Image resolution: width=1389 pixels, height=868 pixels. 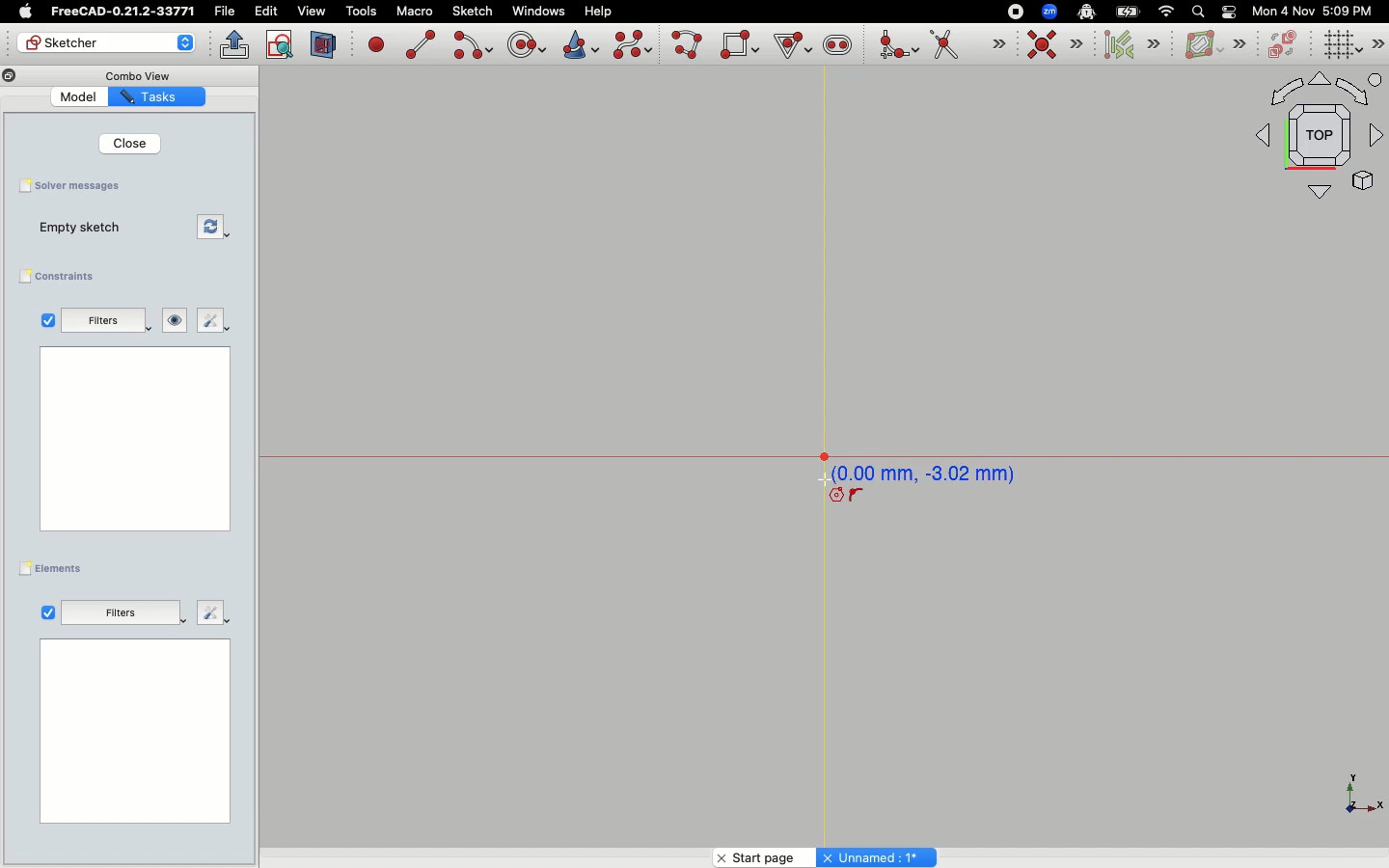 What do you see at coordinates (1316, 137) in the screenshot?
I see `Orthographic view` at bounding box center [1316, 137].